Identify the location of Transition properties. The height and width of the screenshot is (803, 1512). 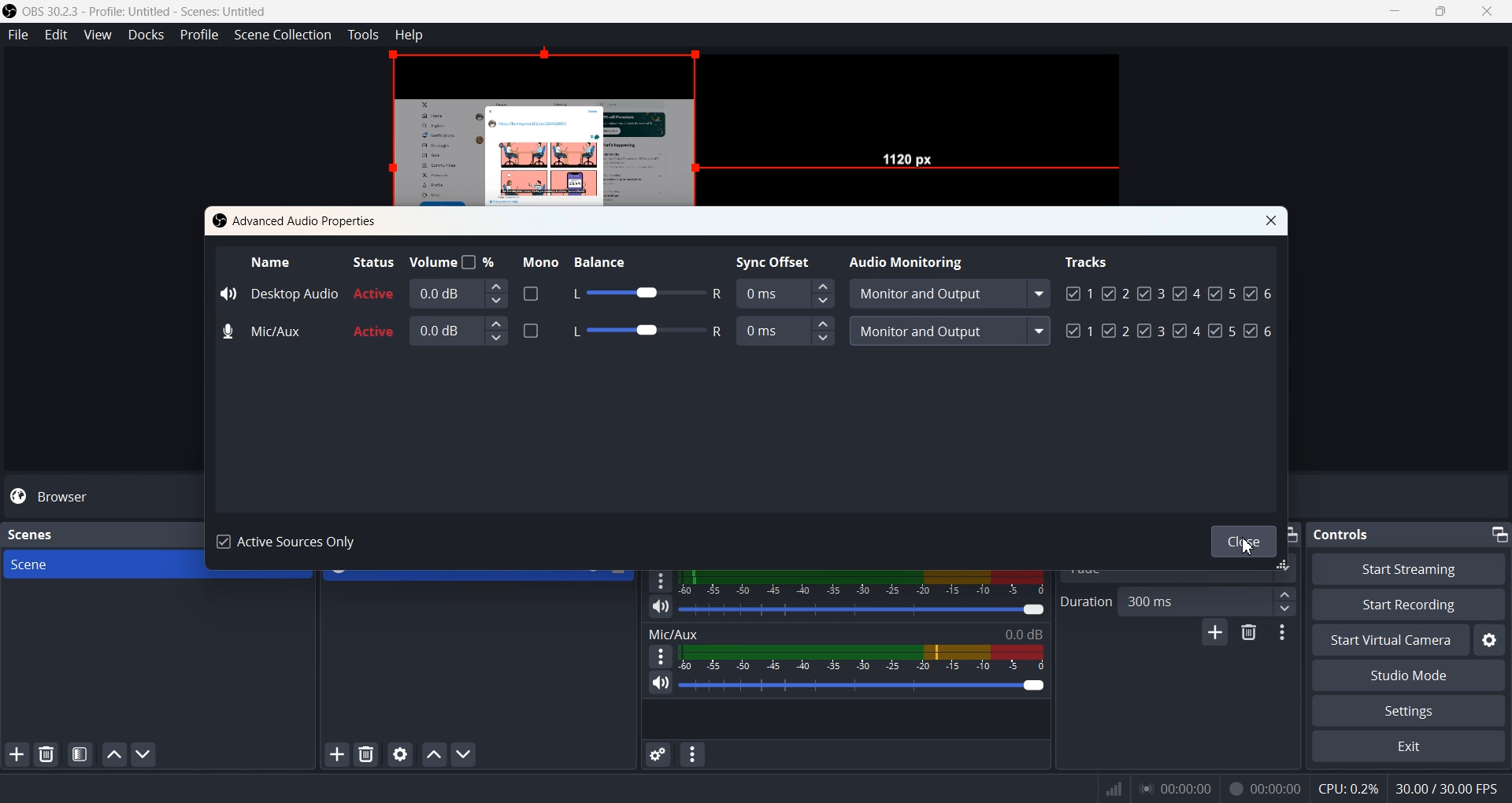
(1285, 635).